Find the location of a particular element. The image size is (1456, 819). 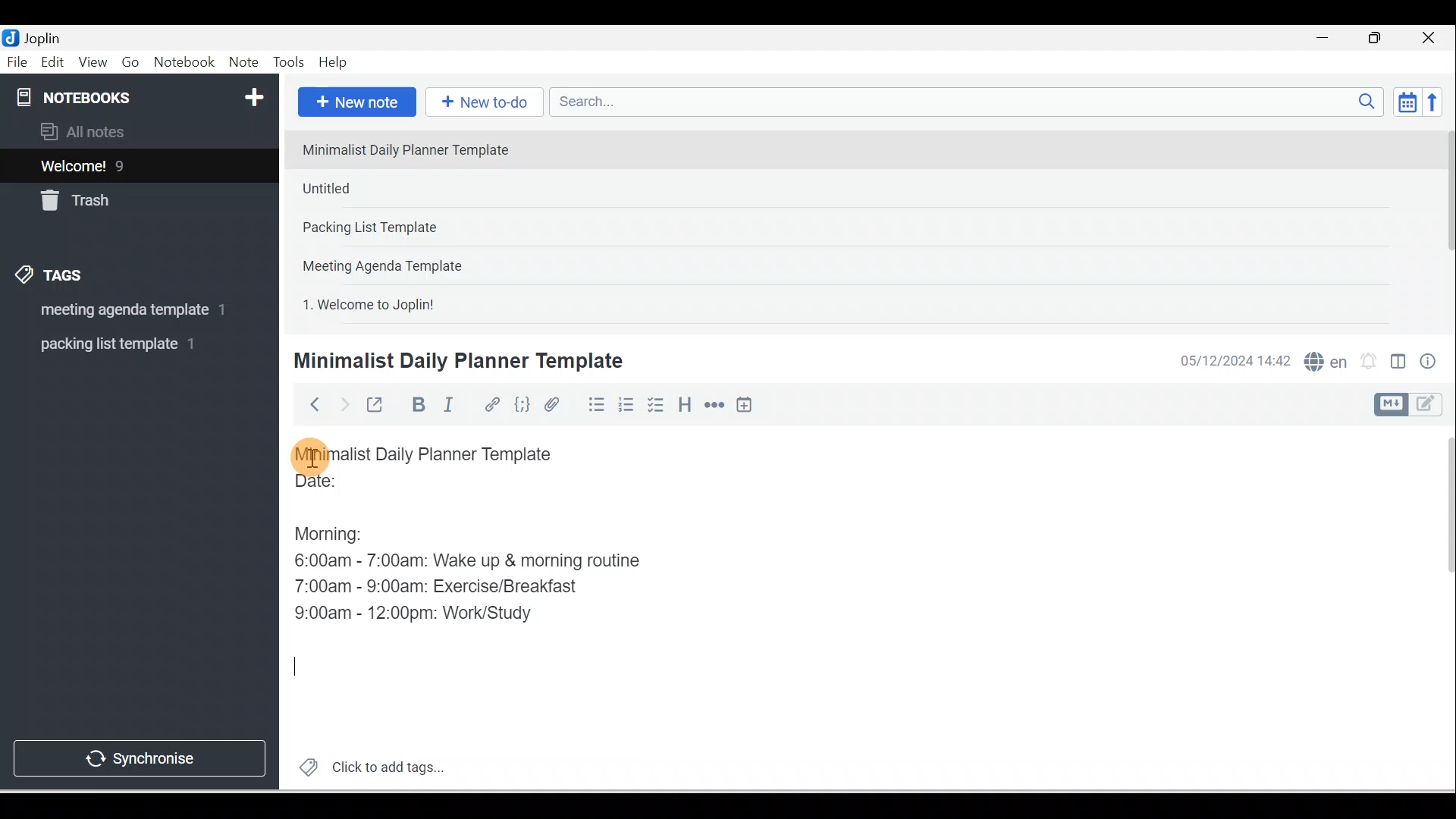

Note is located at coordinates (242, 63).